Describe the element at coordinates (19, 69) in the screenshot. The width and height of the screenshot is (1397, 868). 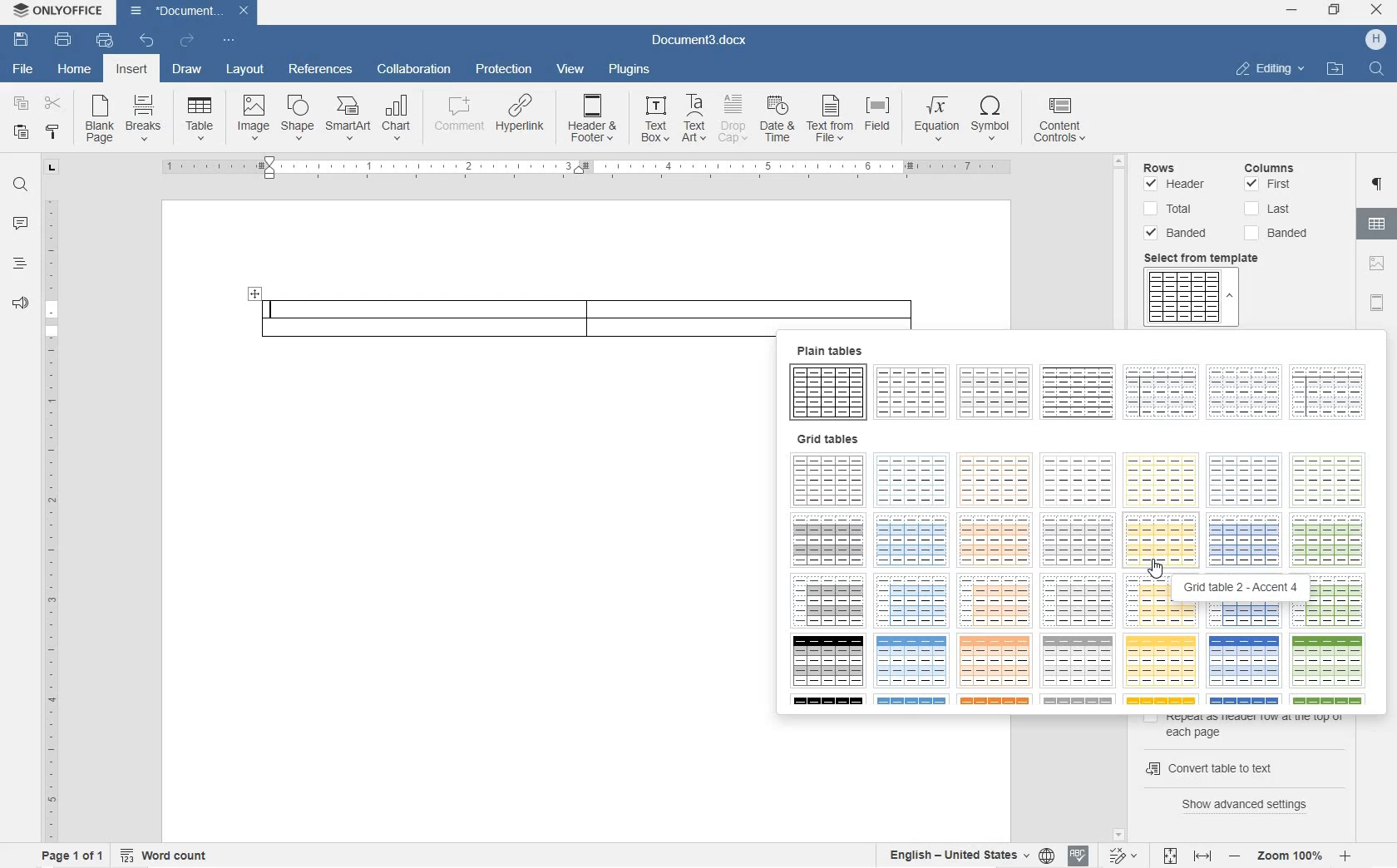
I see `FILE` at that location.